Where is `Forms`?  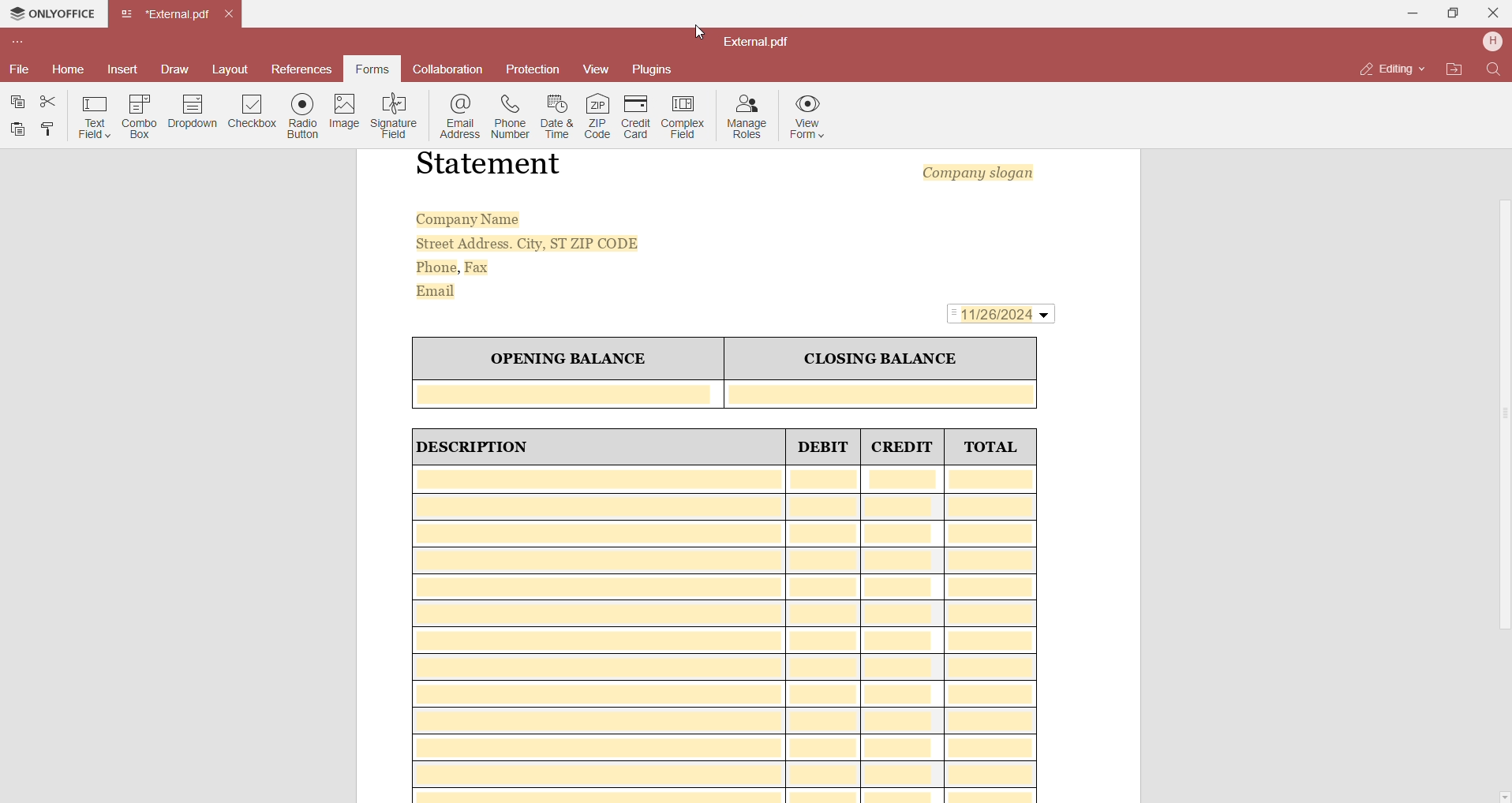 Forms is located at coordinates (372, 69).